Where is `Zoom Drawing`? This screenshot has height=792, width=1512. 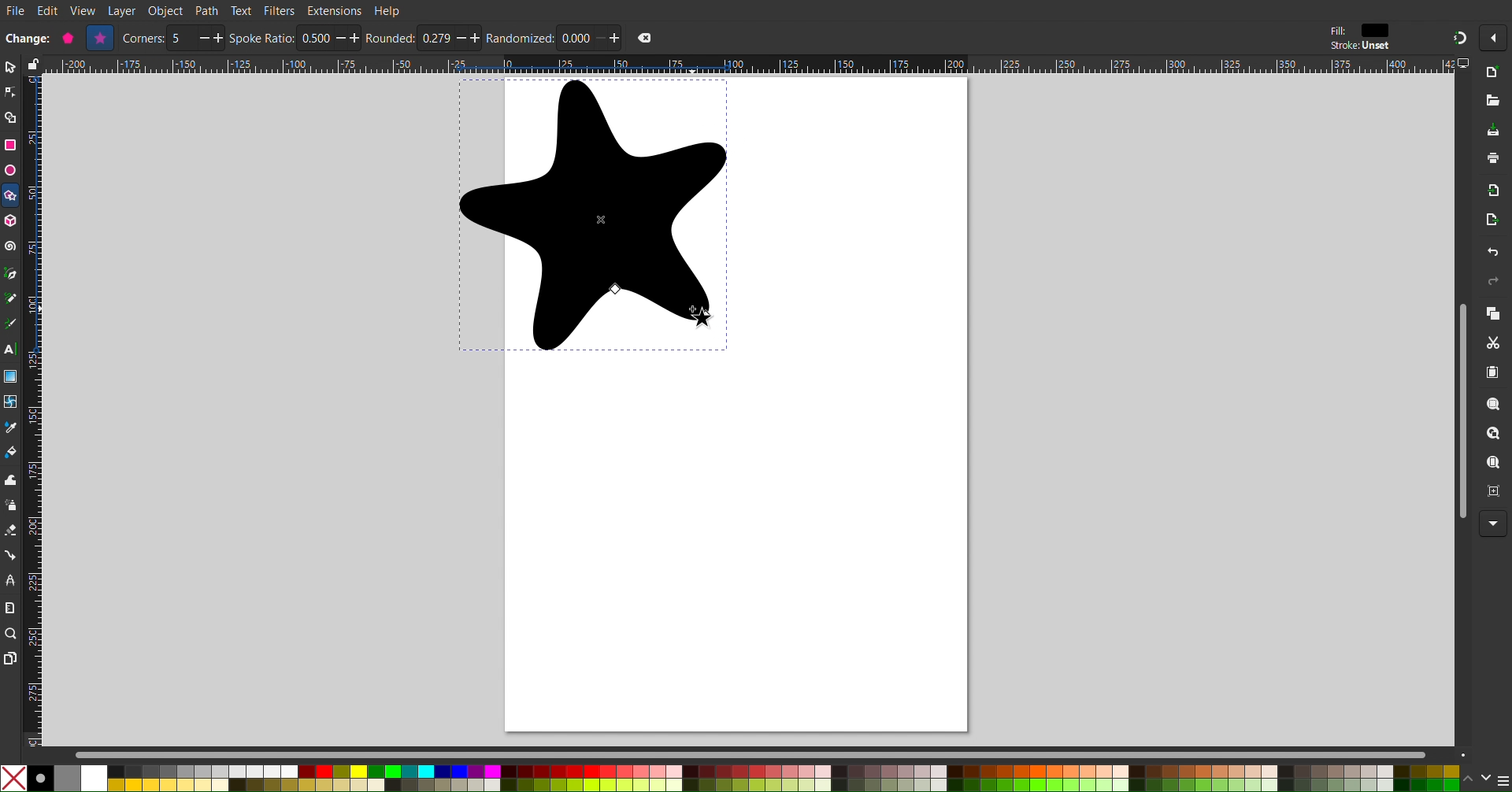 Zoom Drawing is located at coordinates (1495, 435).